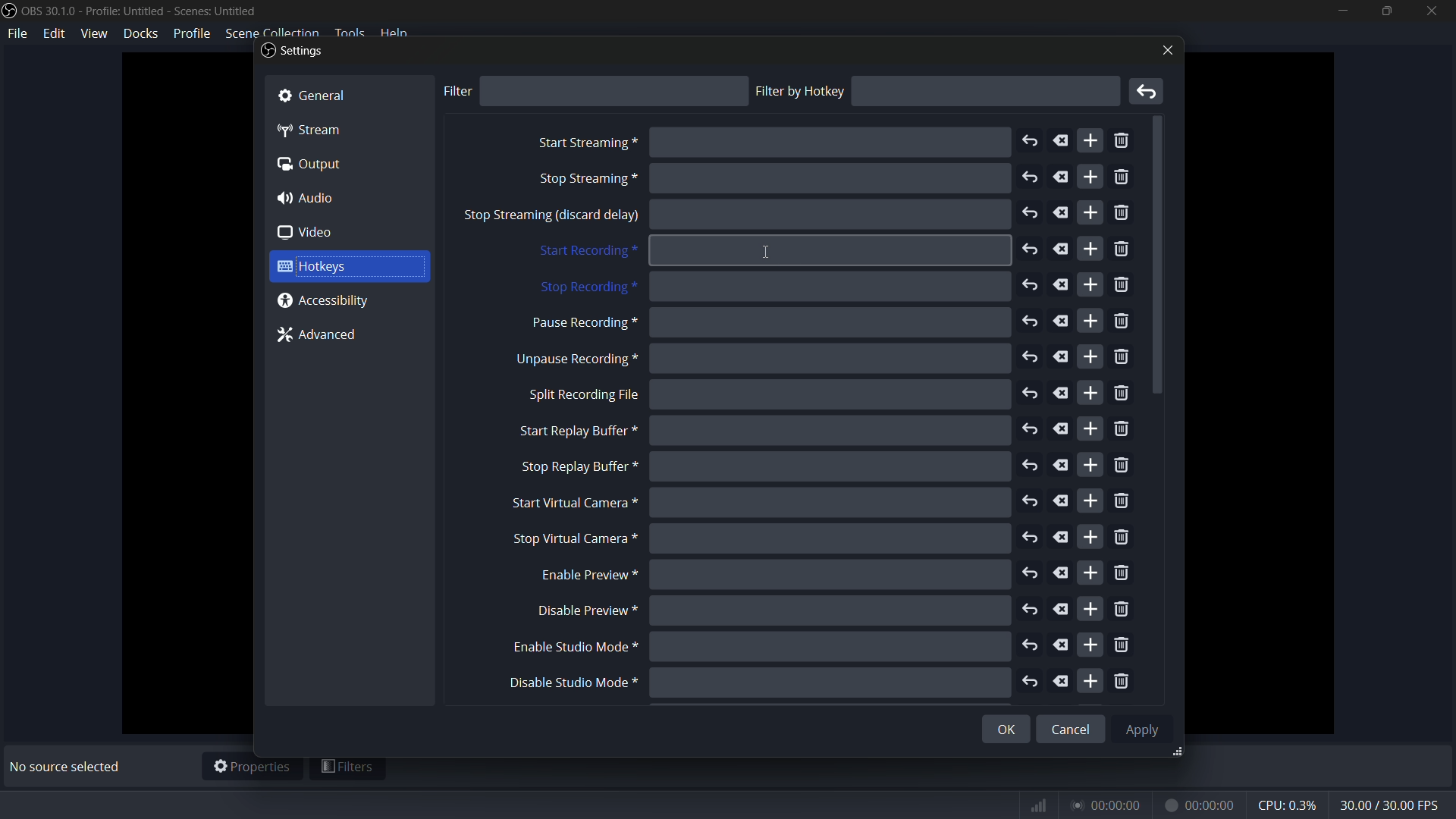  What do you see at coordinates (1125, 573) in the screenshot?
I see `remove` at bounding box center [1125, 573].